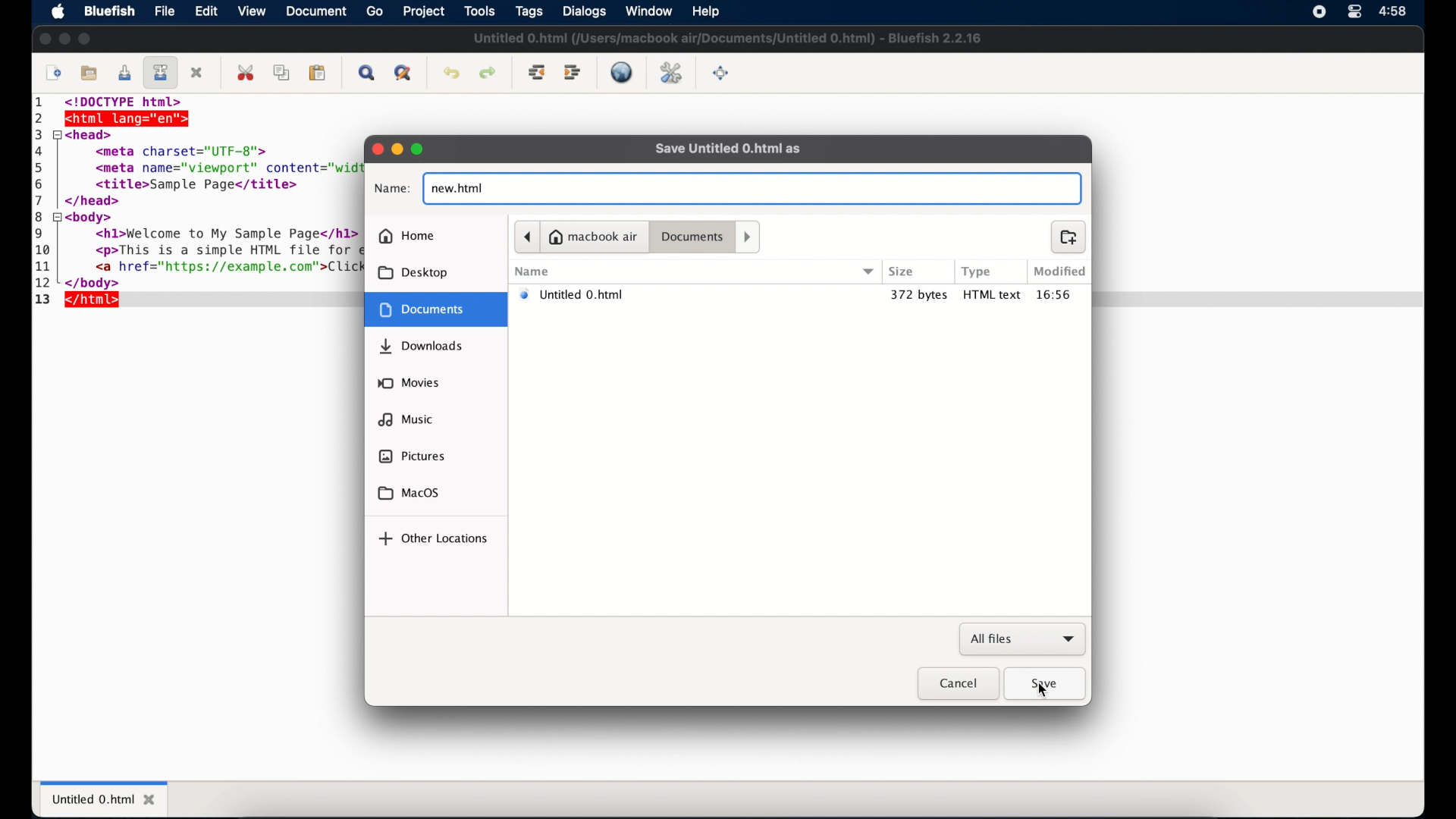 The height and width of the screenshot is (819, 1456). I want to click on close, so click(377, 149).